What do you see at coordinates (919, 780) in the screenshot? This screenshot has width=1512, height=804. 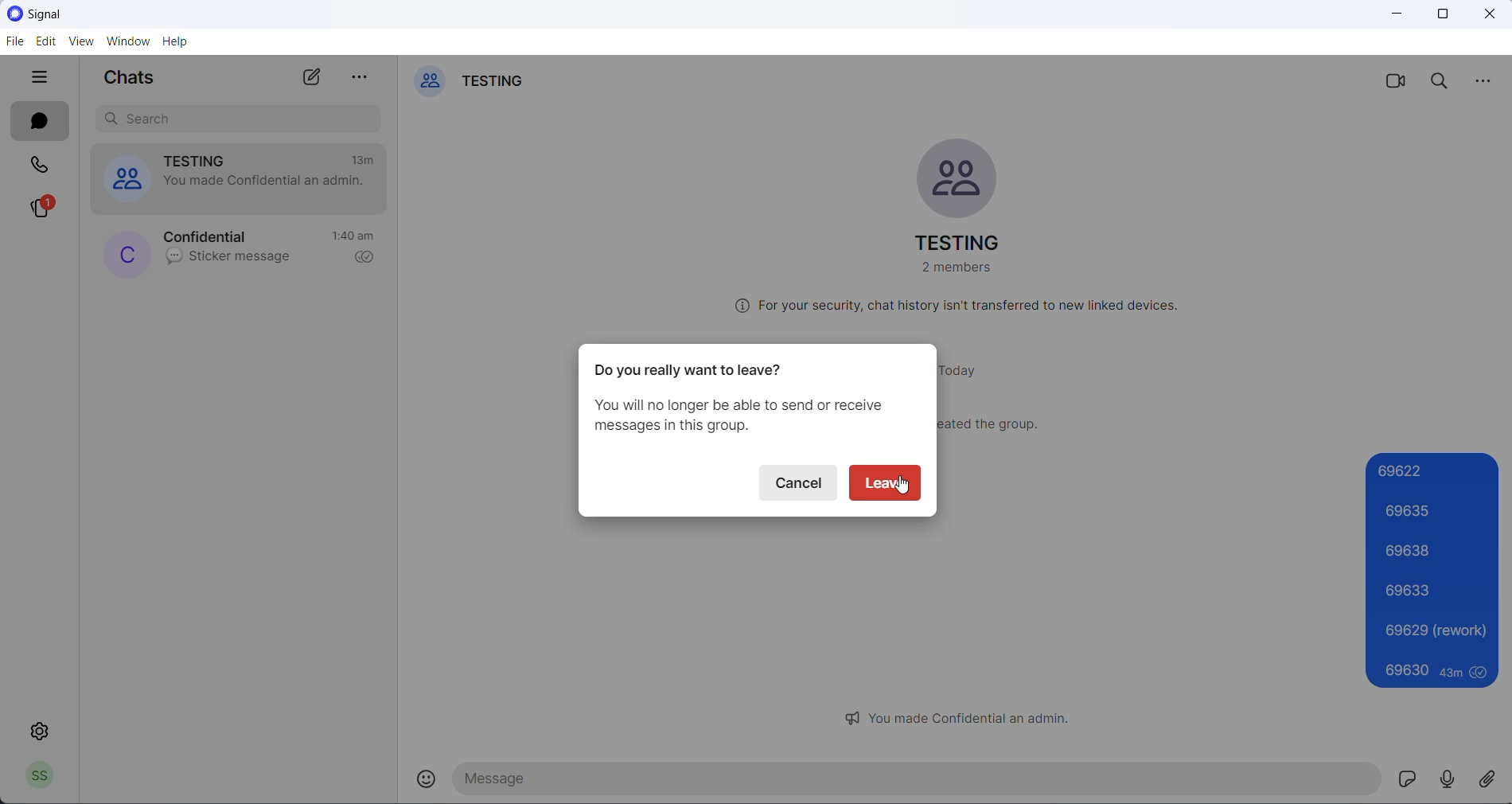 I see `message text area` at bounding box center [919, 780].